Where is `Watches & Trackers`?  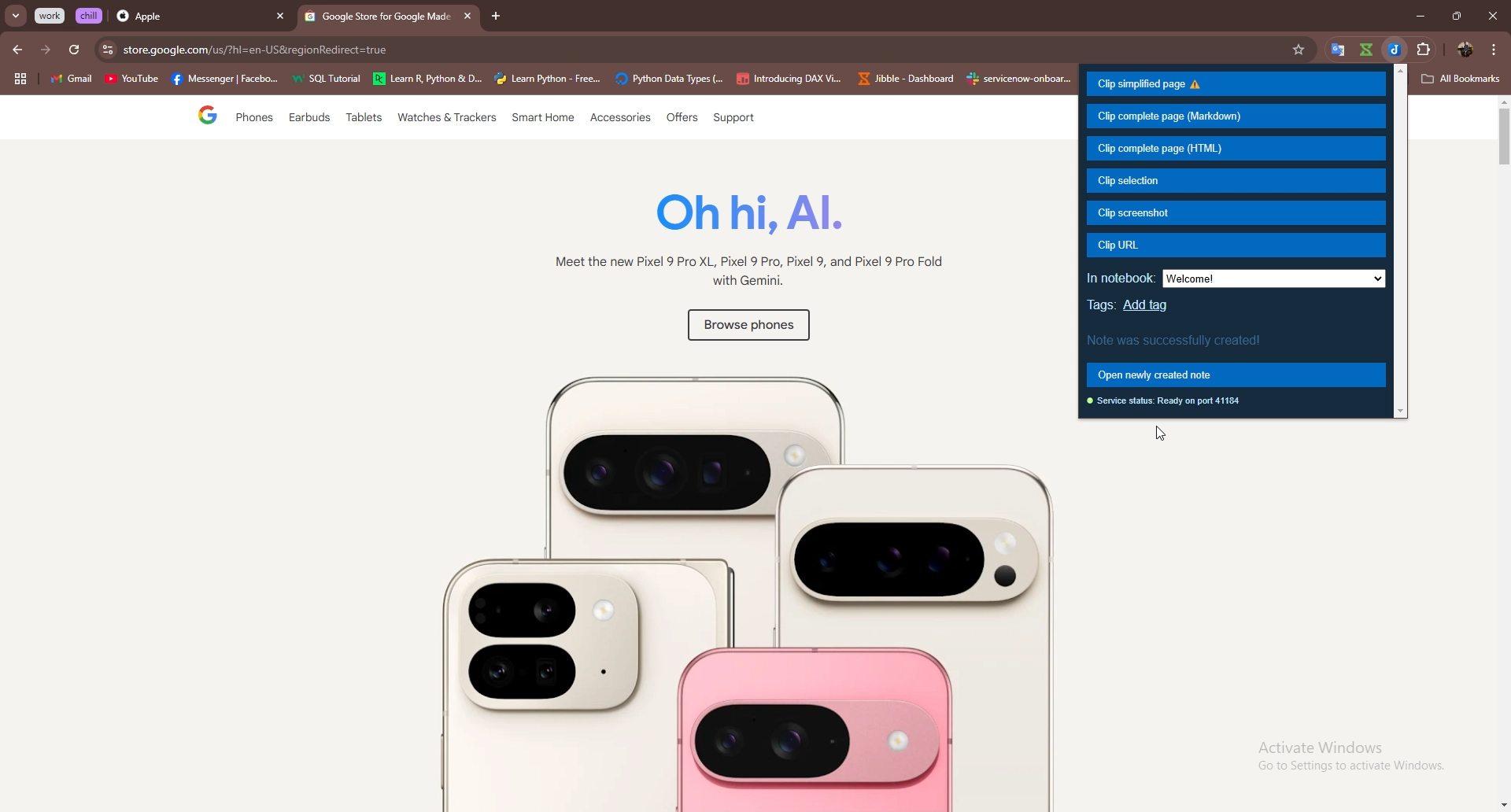 Watches & Trackers is located at coordinates (449, 119).